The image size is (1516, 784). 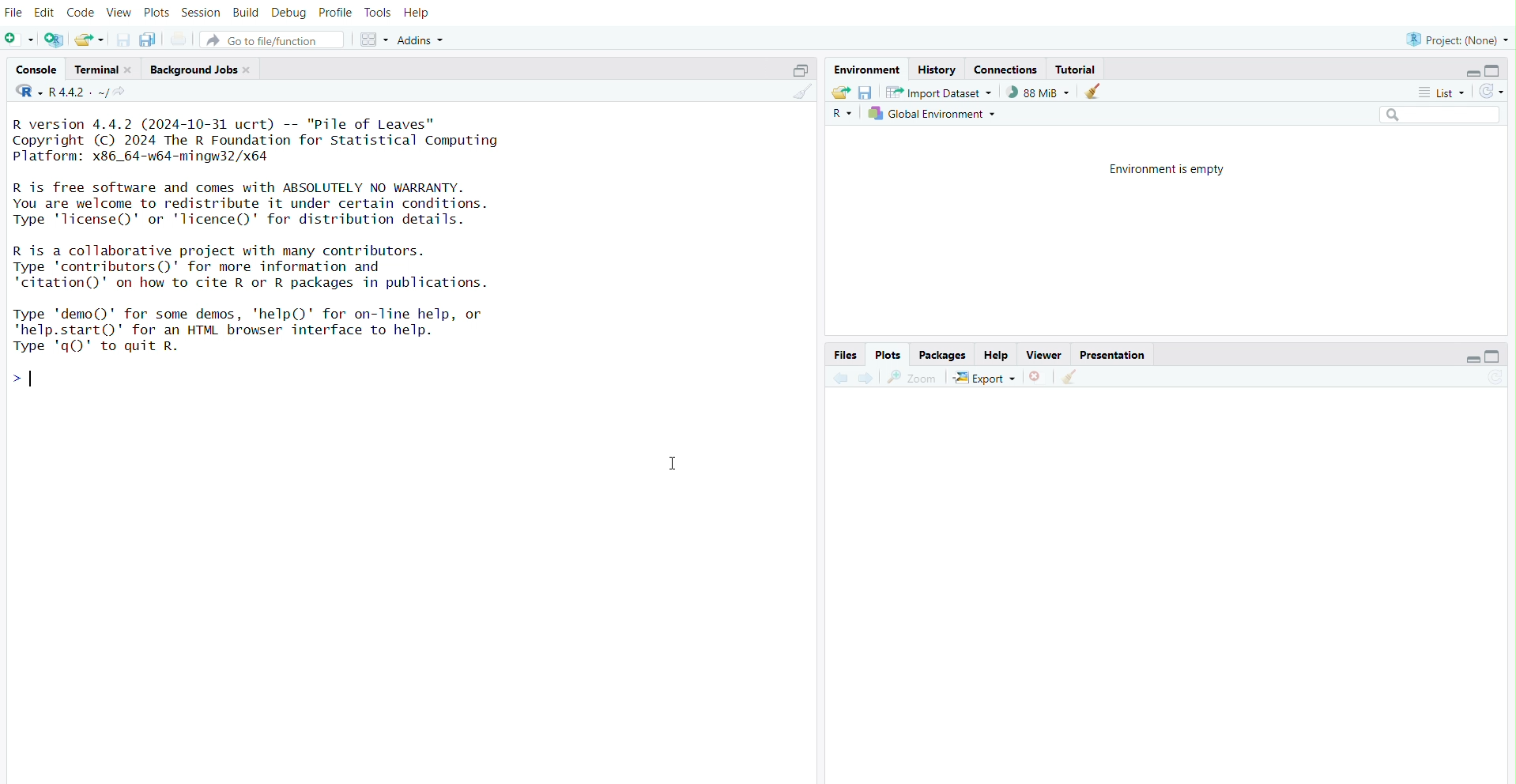 What do you see at coordinates (16, 378) in the screenshot?
I see `prompt cursor` at bounding box center [16, 378].